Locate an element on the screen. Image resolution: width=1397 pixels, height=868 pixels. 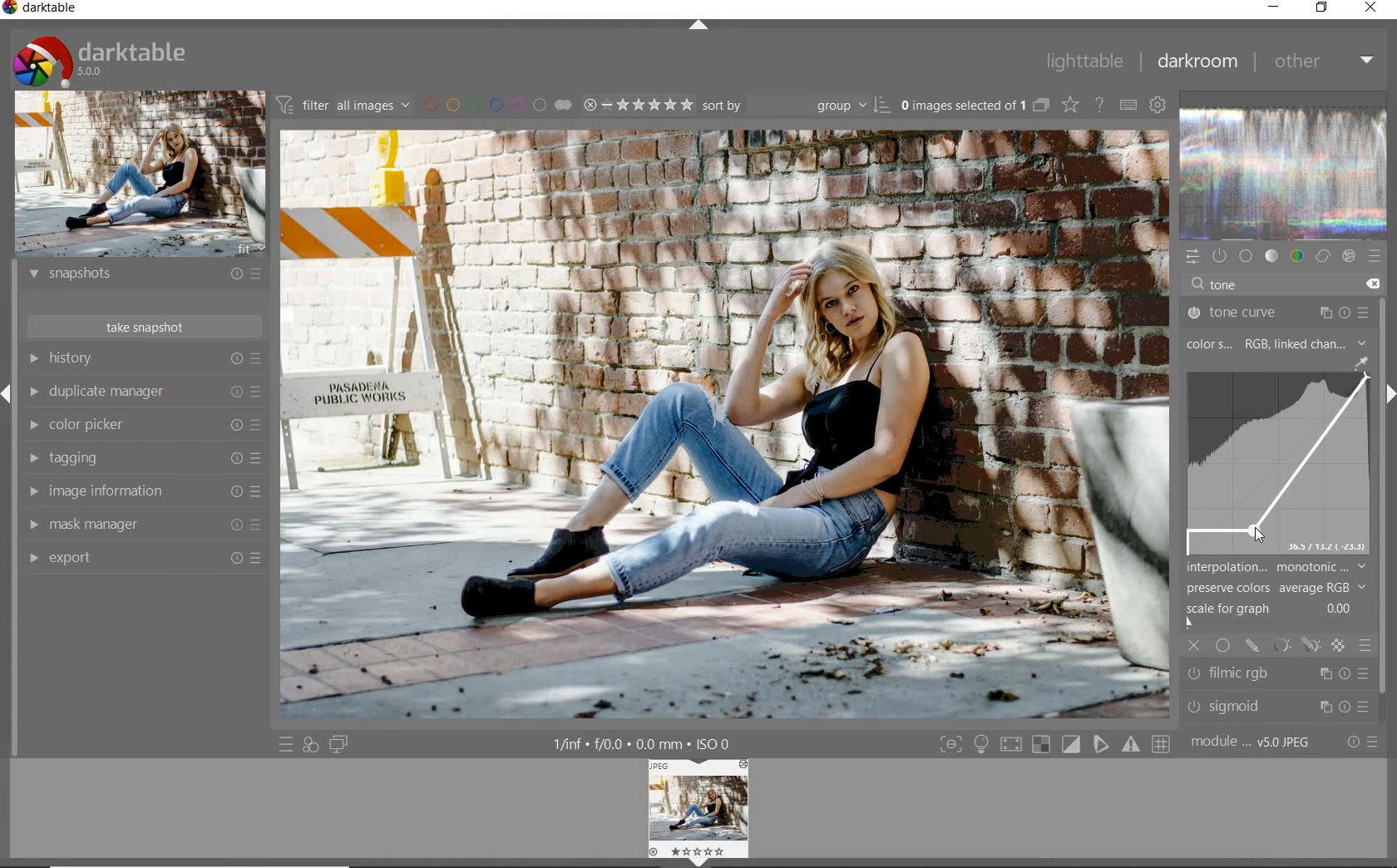
reset or presets & preferences is located at coordinates (1360, 742).